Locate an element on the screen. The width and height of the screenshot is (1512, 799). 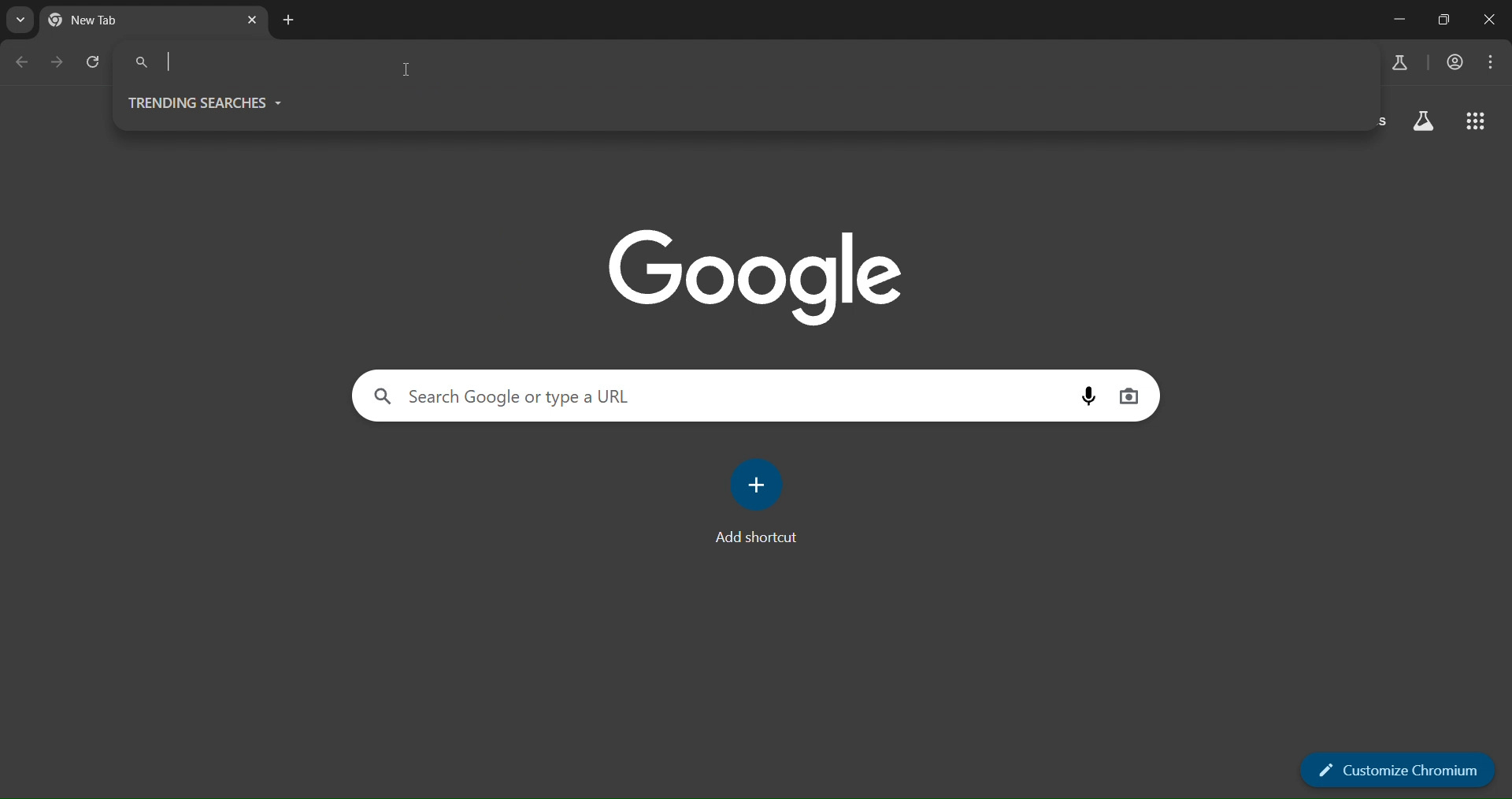
trending searches is located at coordinates (206, 101).